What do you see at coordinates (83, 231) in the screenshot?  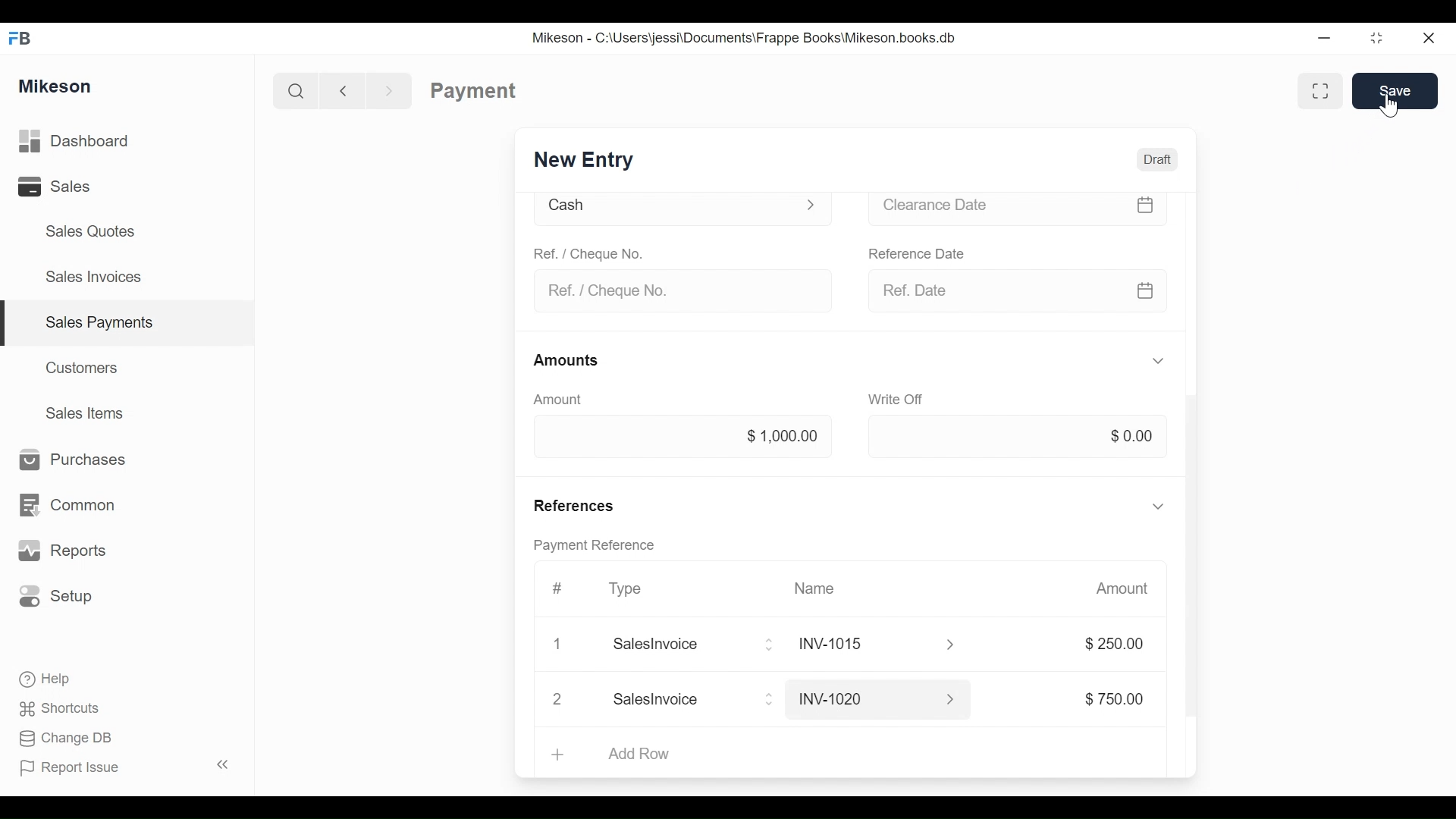 I see `Sales Quotes` at bounding box center [83, 231].